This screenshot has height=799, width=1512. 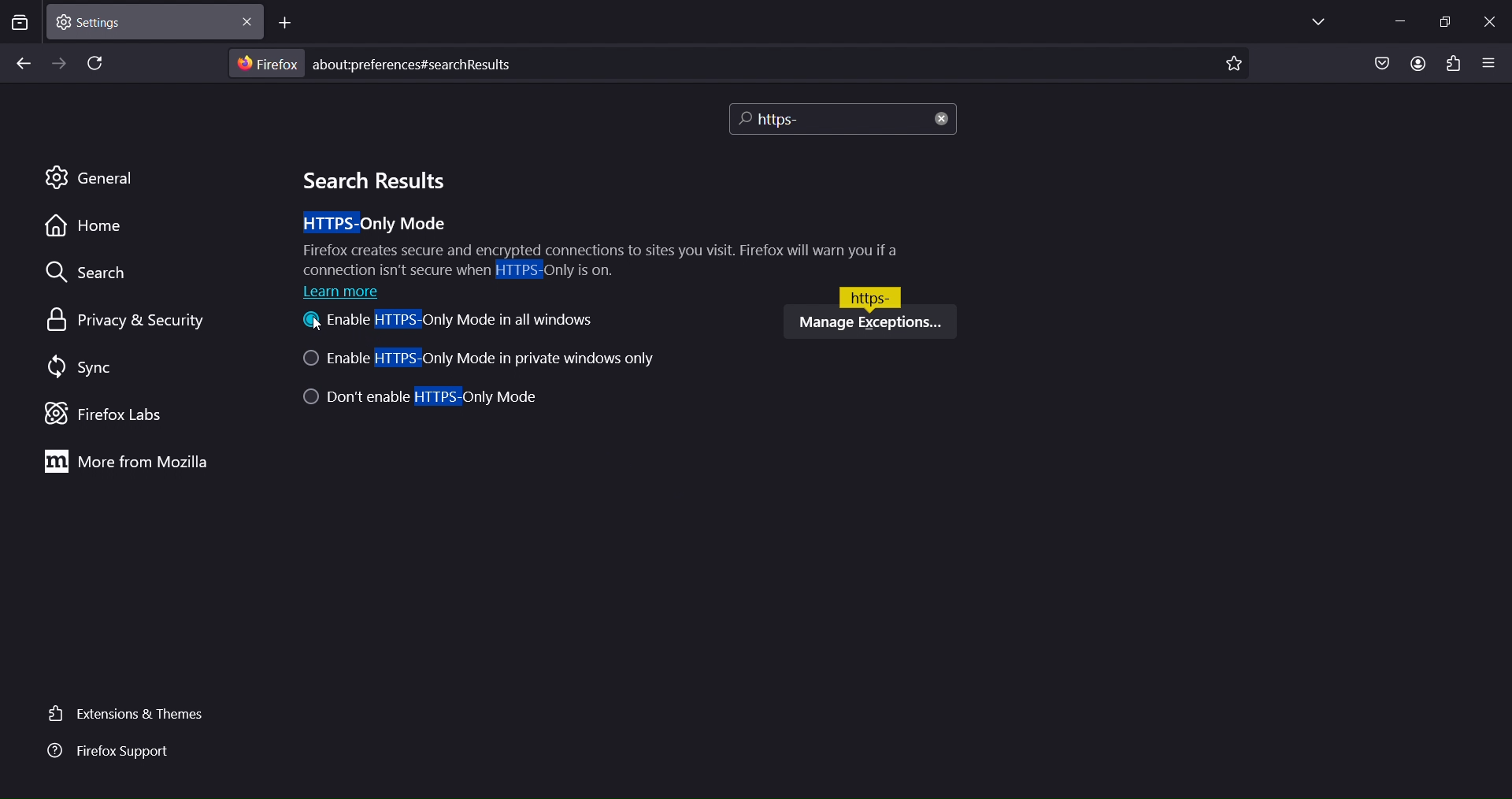 What do you see at coordinates (135, 319) in the screenshot?
I see `privacy & security` at bounding box center [135, 319].